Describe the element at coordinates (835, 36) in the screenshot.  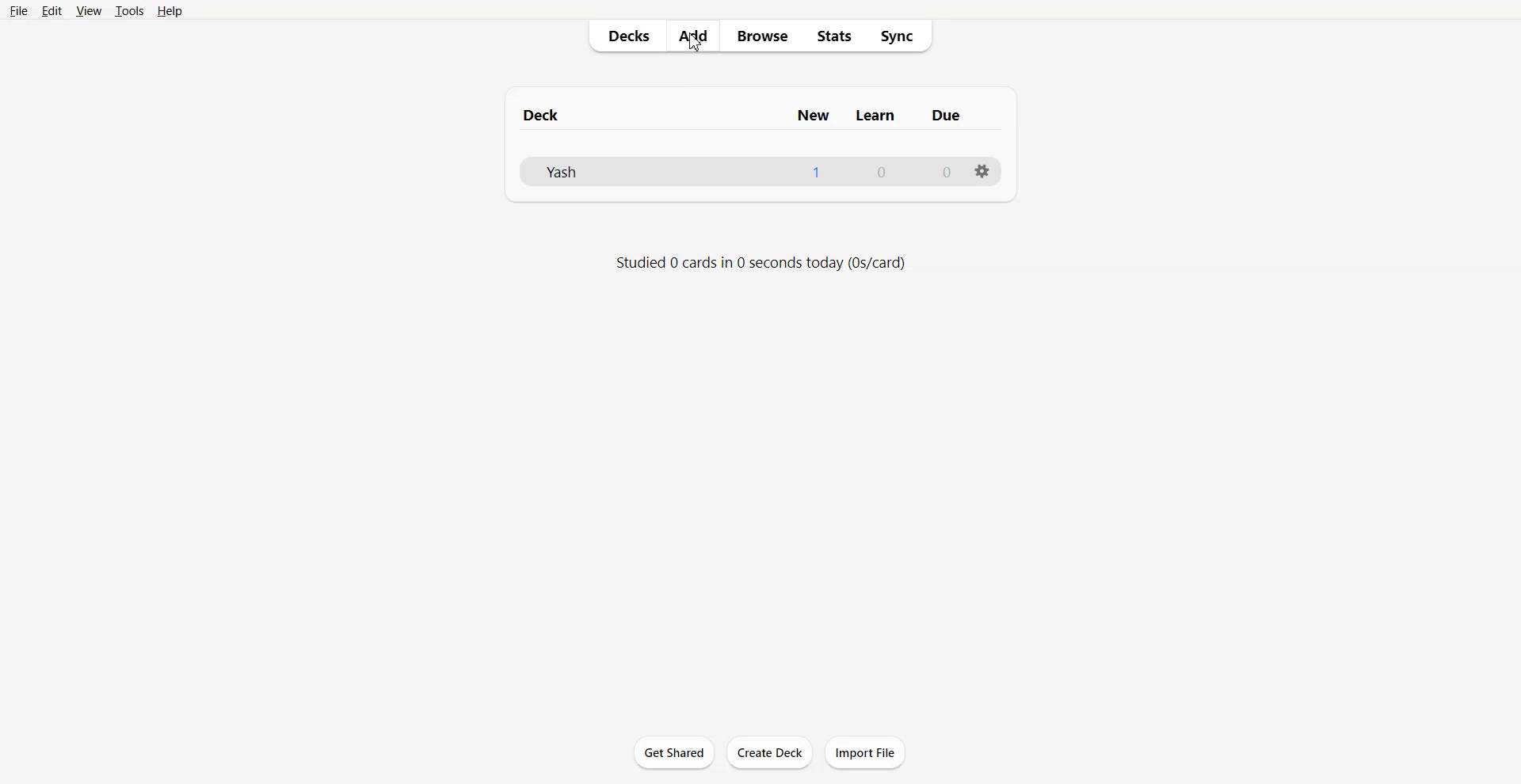
I see `Stats` at that location.